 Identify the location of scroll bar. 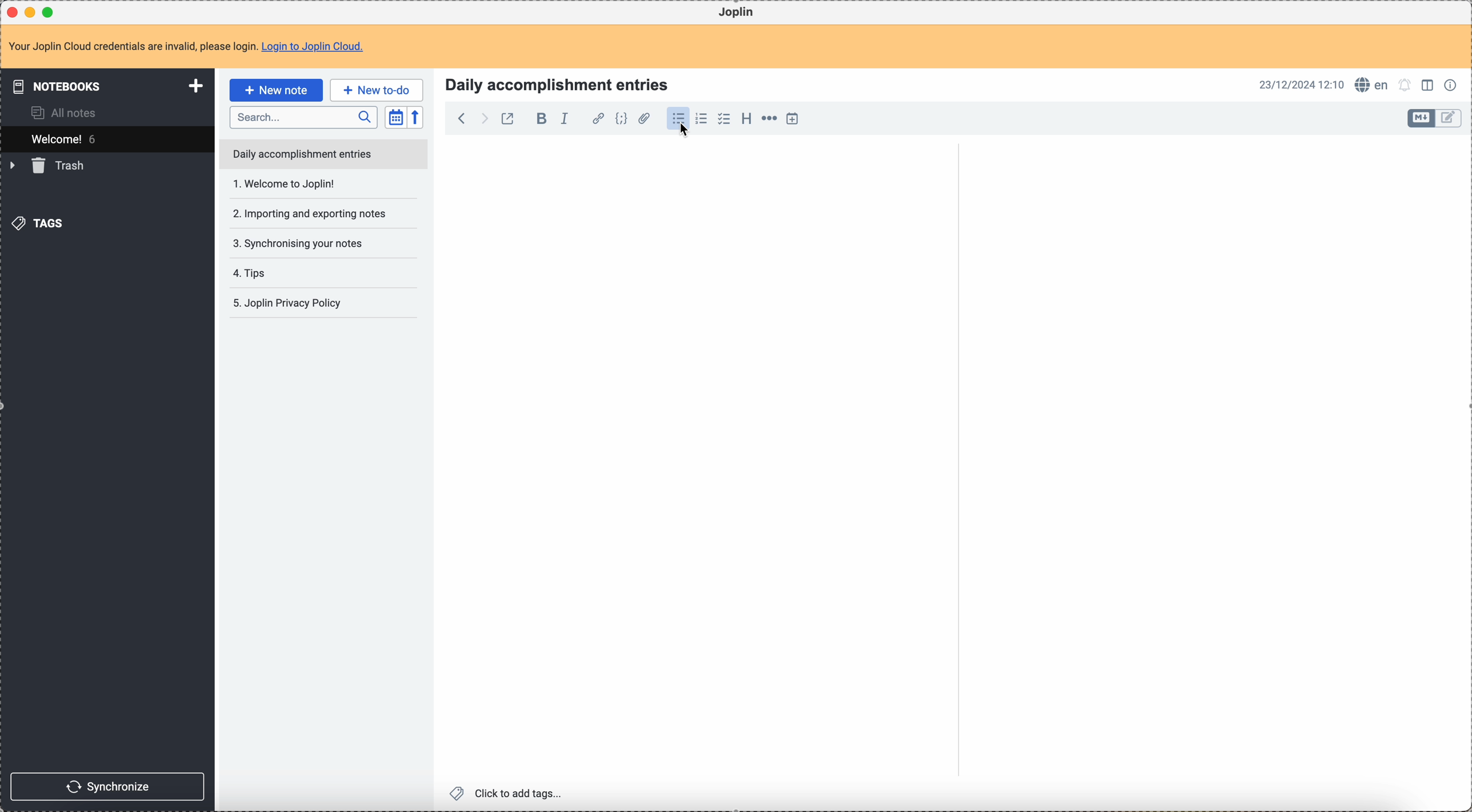
(1463, 258).